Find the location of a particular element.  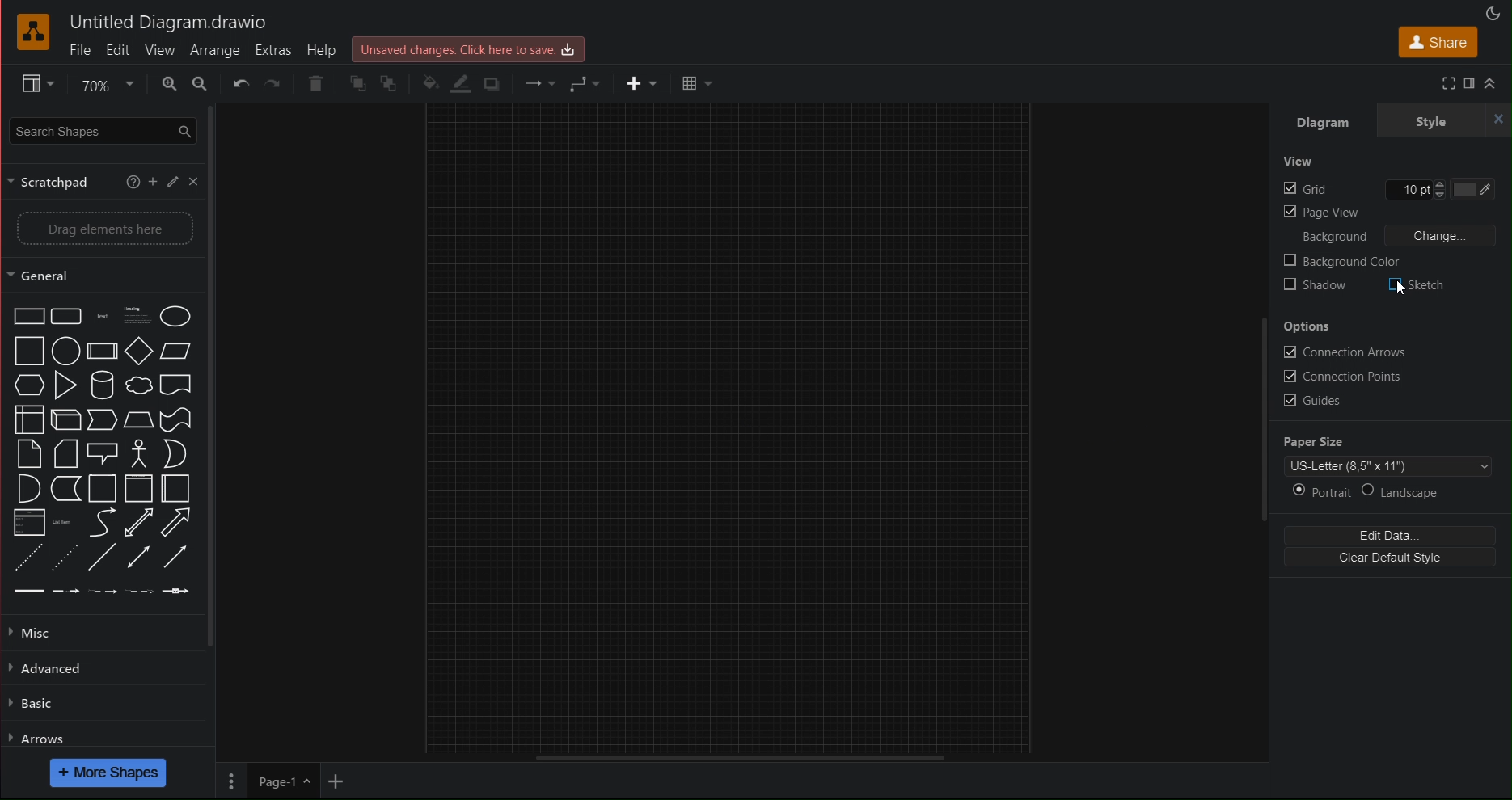

Connection Points is located at coordinates (1347, 377).